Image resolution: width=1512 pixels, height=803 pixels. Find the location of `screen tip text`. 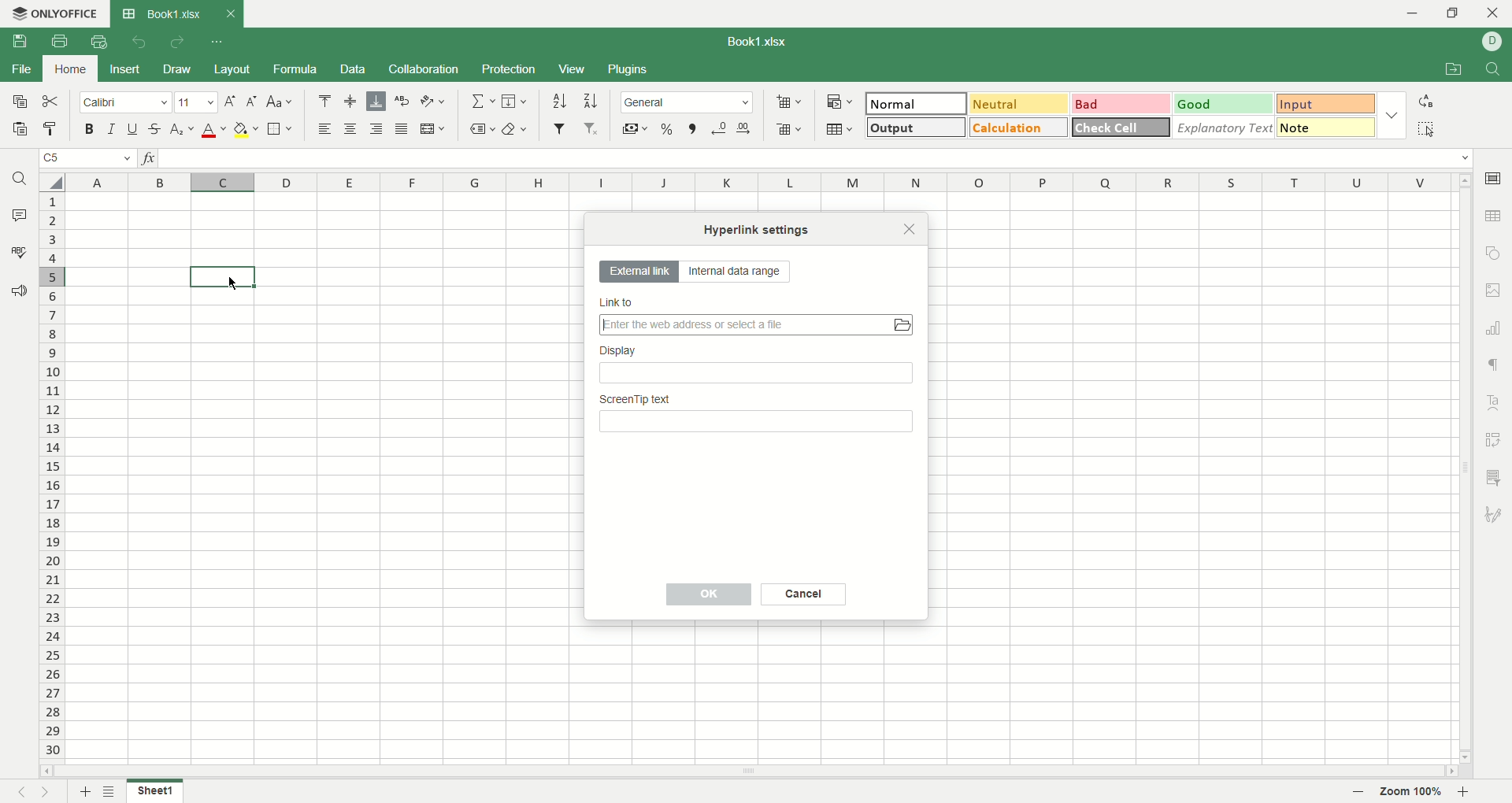

screen tip text is located at coordinates (758, 416).